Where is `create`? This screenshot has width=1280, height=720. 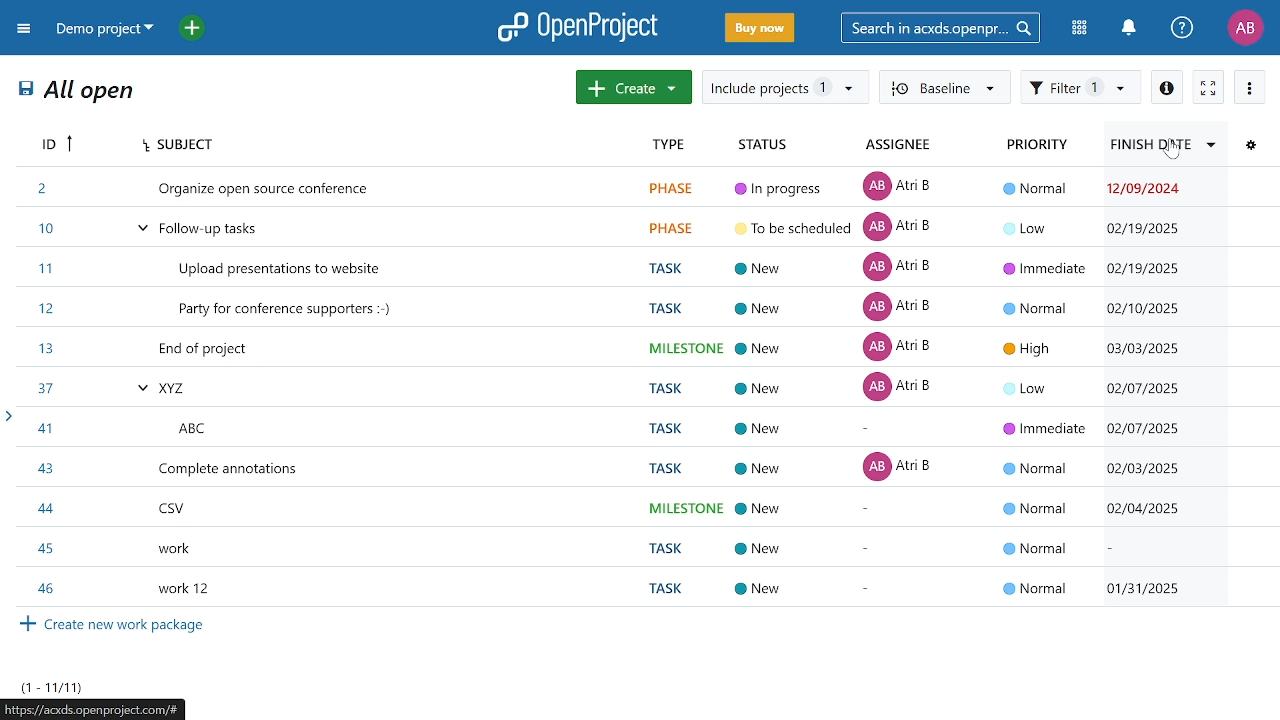 create is located at coordinates (635, 86).